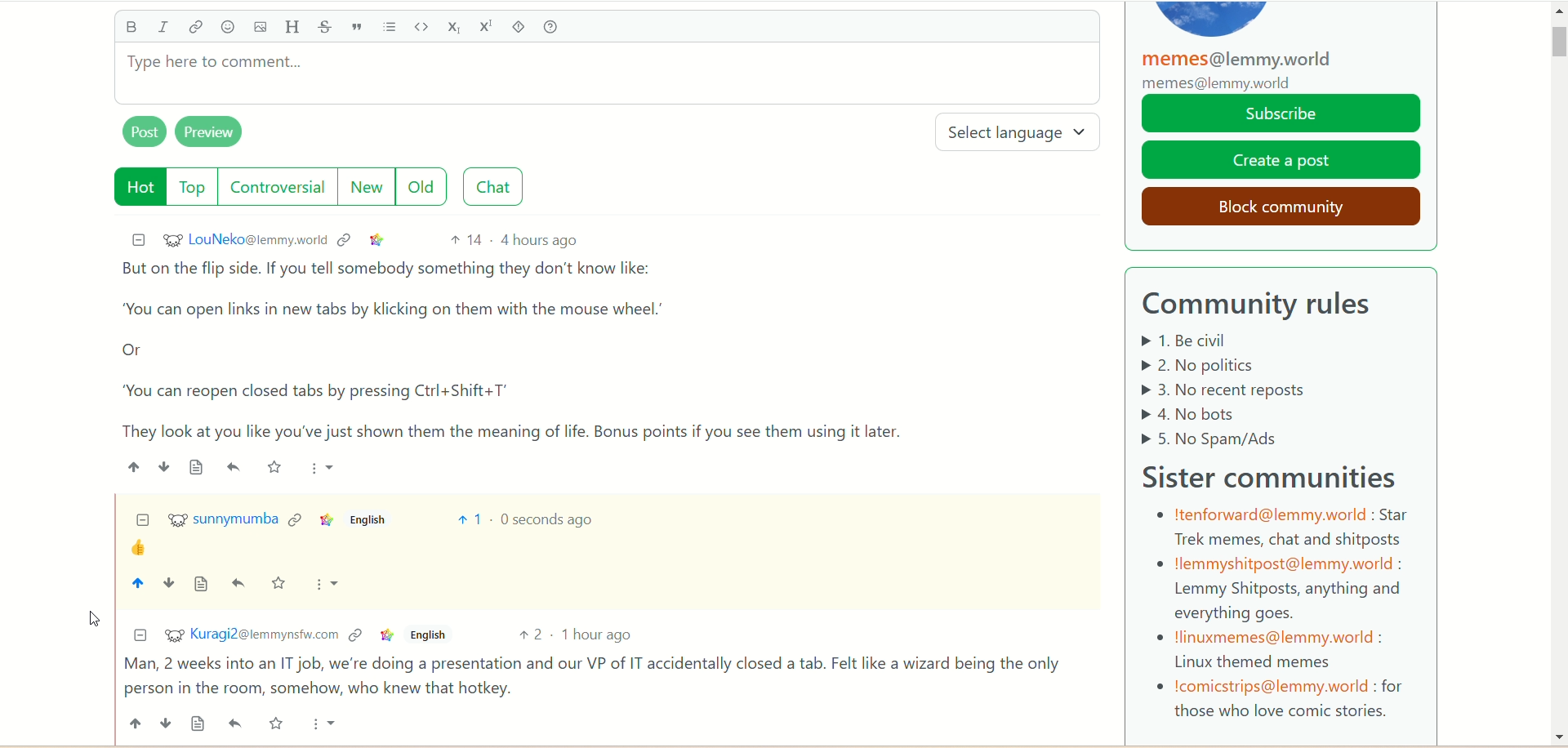  I want to click on Community rules listed, so click(1258, 390).